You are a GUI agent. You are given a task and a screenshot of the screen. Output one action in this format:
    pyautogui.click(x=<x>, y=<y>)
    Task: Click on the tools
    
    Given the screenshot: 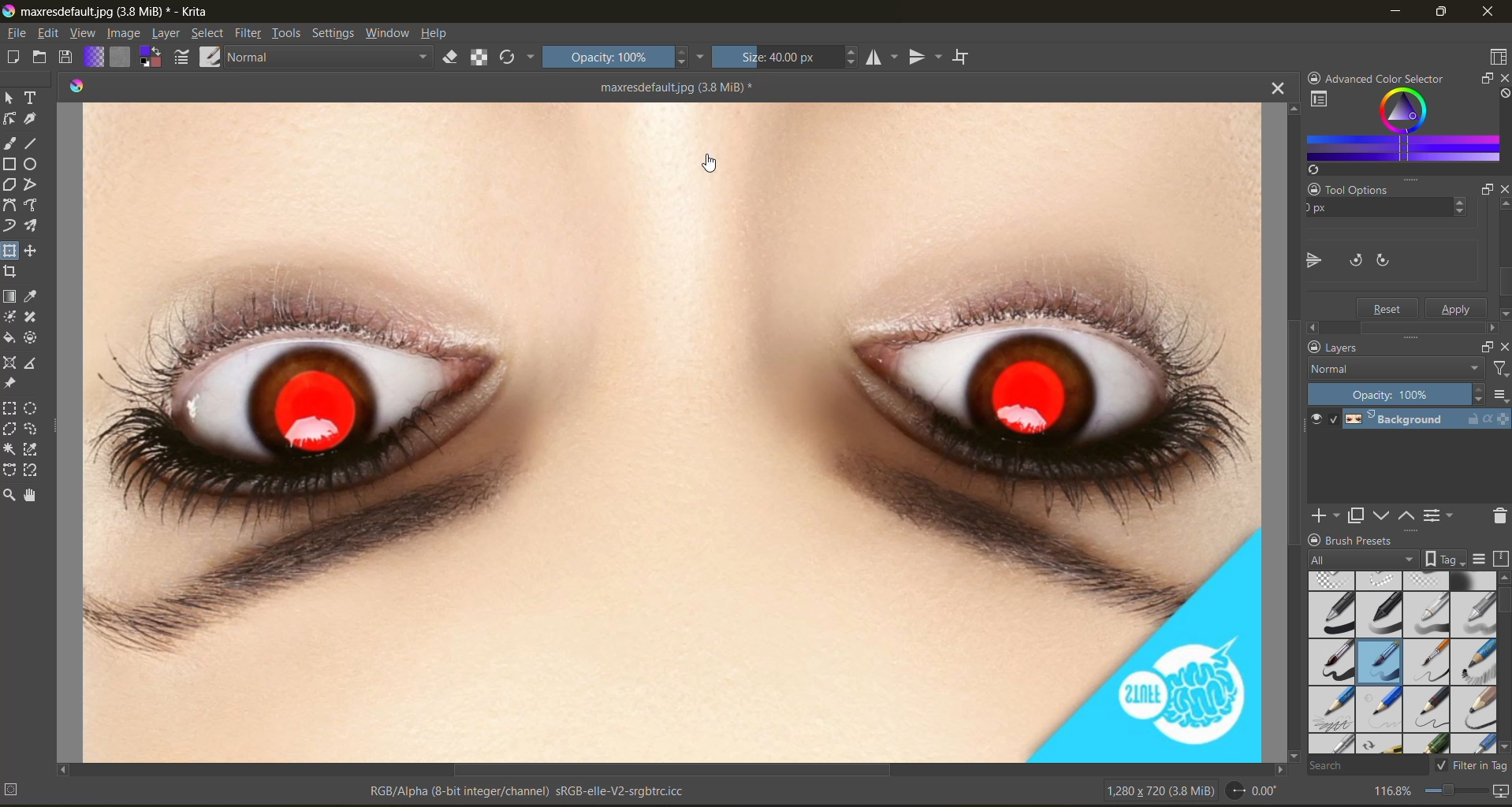 What is the action you would take?
    pyautogui.click(x=289, y=33)
    